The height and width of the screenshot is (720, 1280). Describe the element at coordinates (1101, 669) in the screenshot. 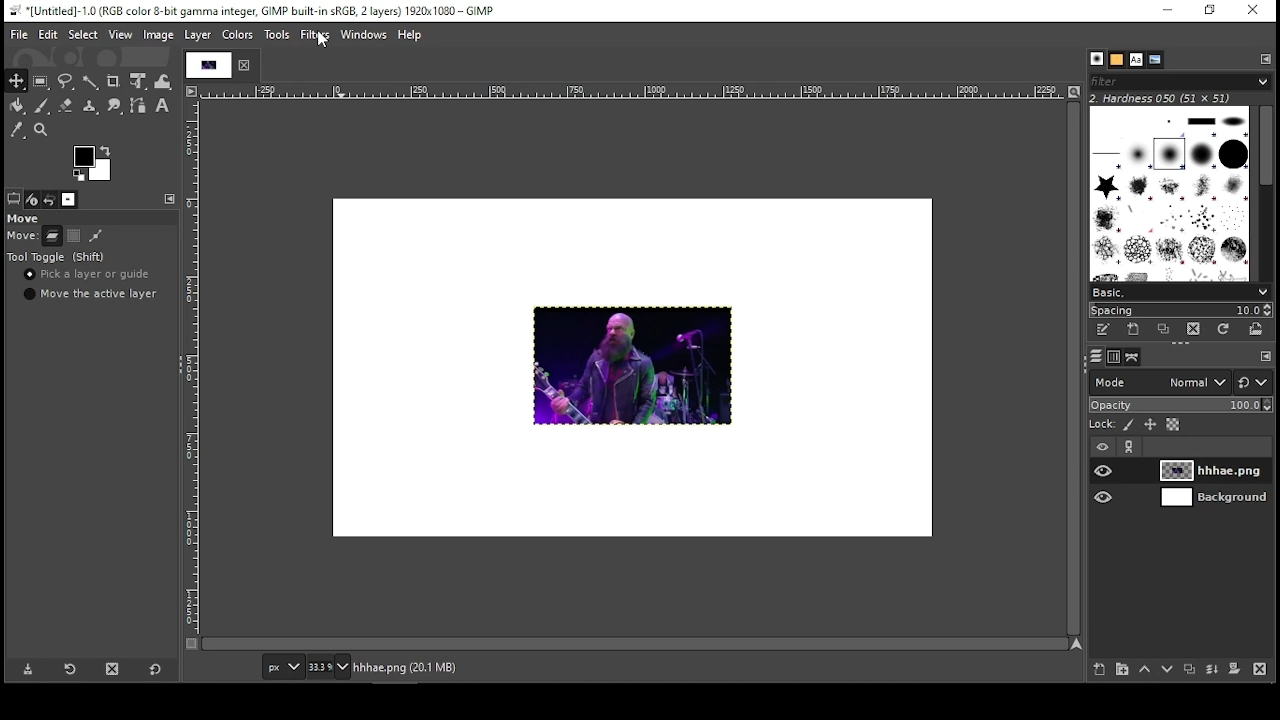

I see `new layer ` at that location.